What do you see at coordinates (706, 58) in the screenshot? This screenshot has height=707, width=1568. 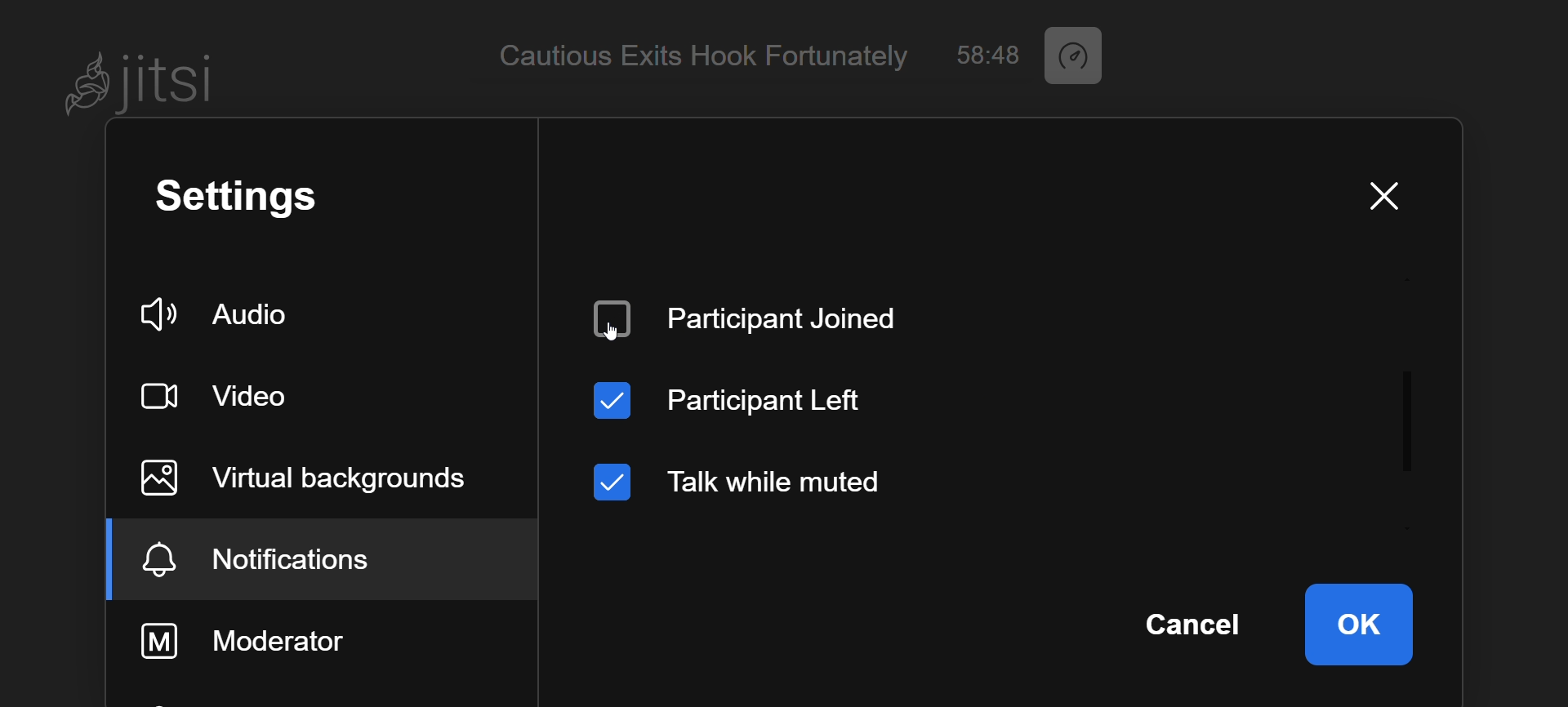 I see `Cautious Exits Hook Fortunately` at bounding box center [706, 58].